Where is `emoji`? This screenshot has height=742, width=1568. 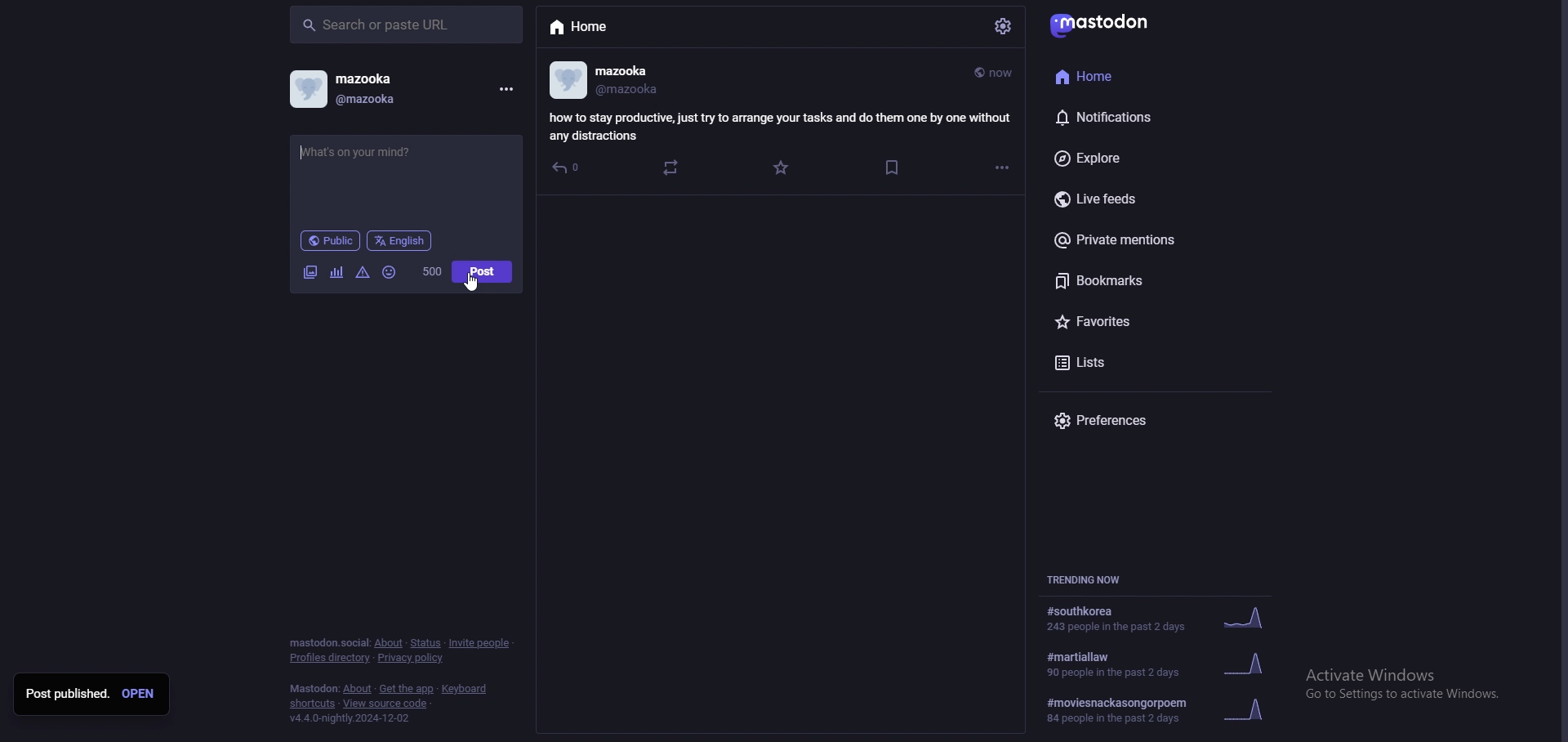 emoji is located at coordinates (390, 272).